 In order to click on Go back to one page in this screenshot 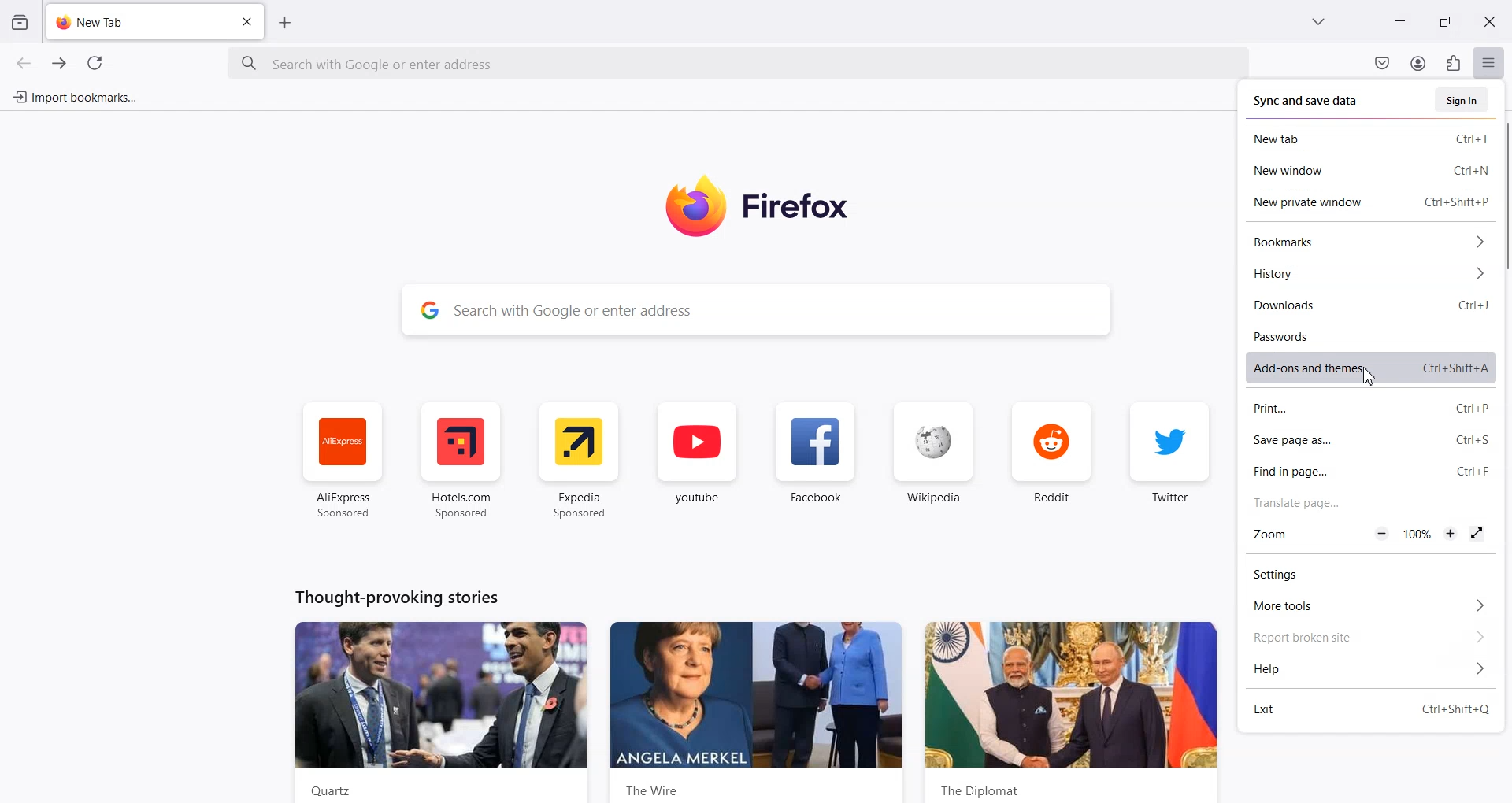, I will do `click(23, 62)`.